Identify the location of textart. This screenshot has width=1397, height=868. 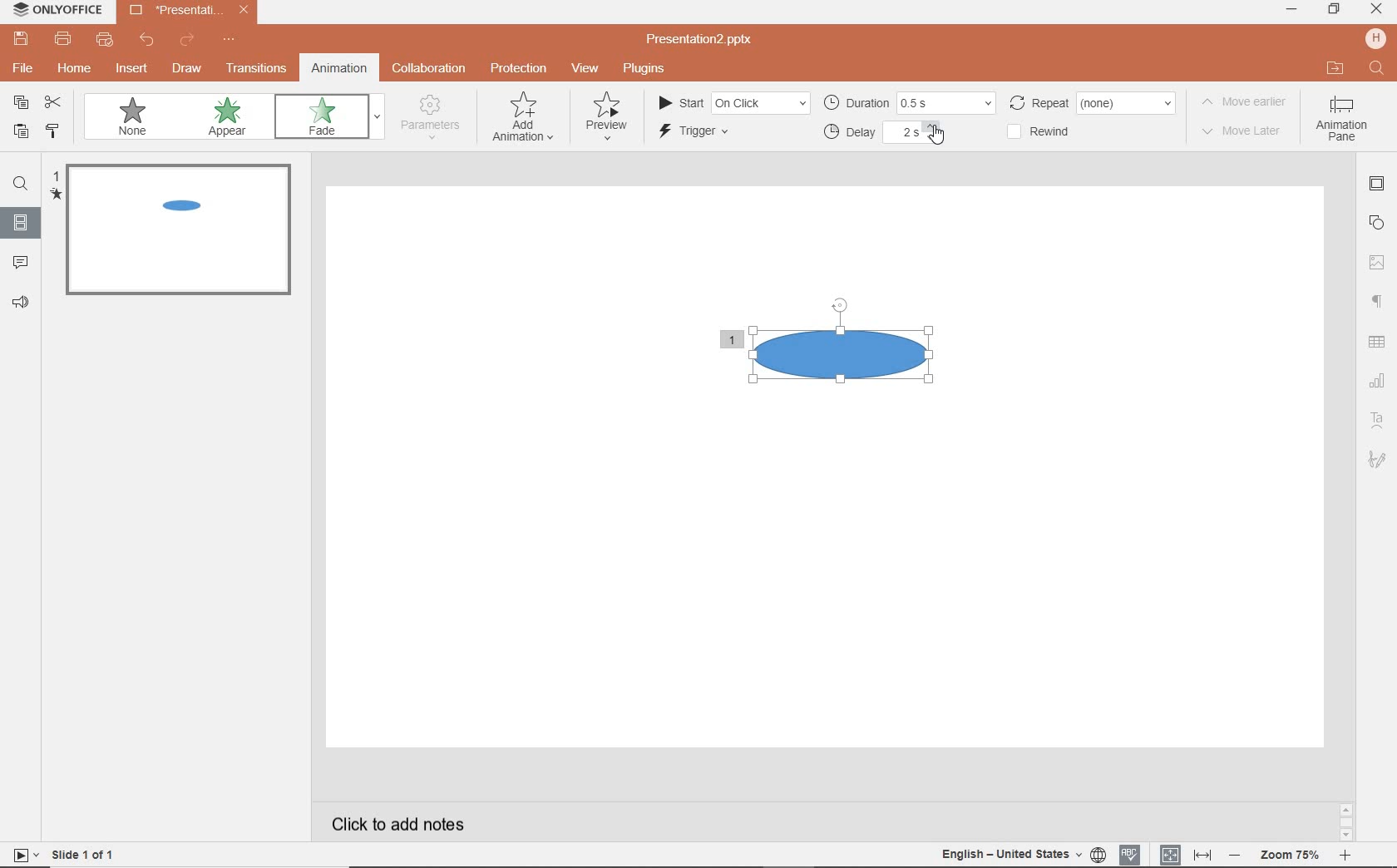
(1379, 422).